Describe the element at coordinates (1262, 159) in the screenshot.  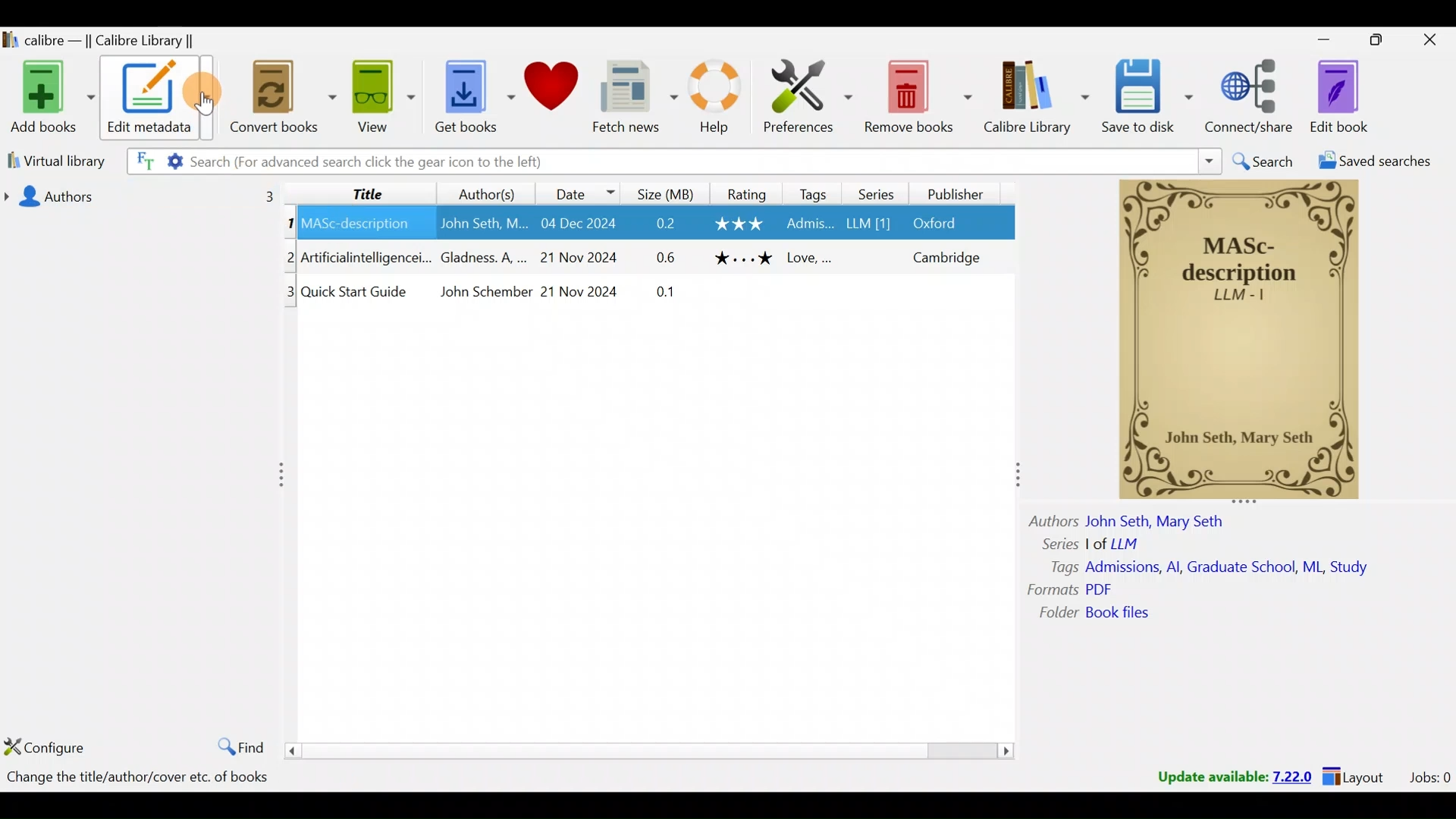
I see `Search` at that location.